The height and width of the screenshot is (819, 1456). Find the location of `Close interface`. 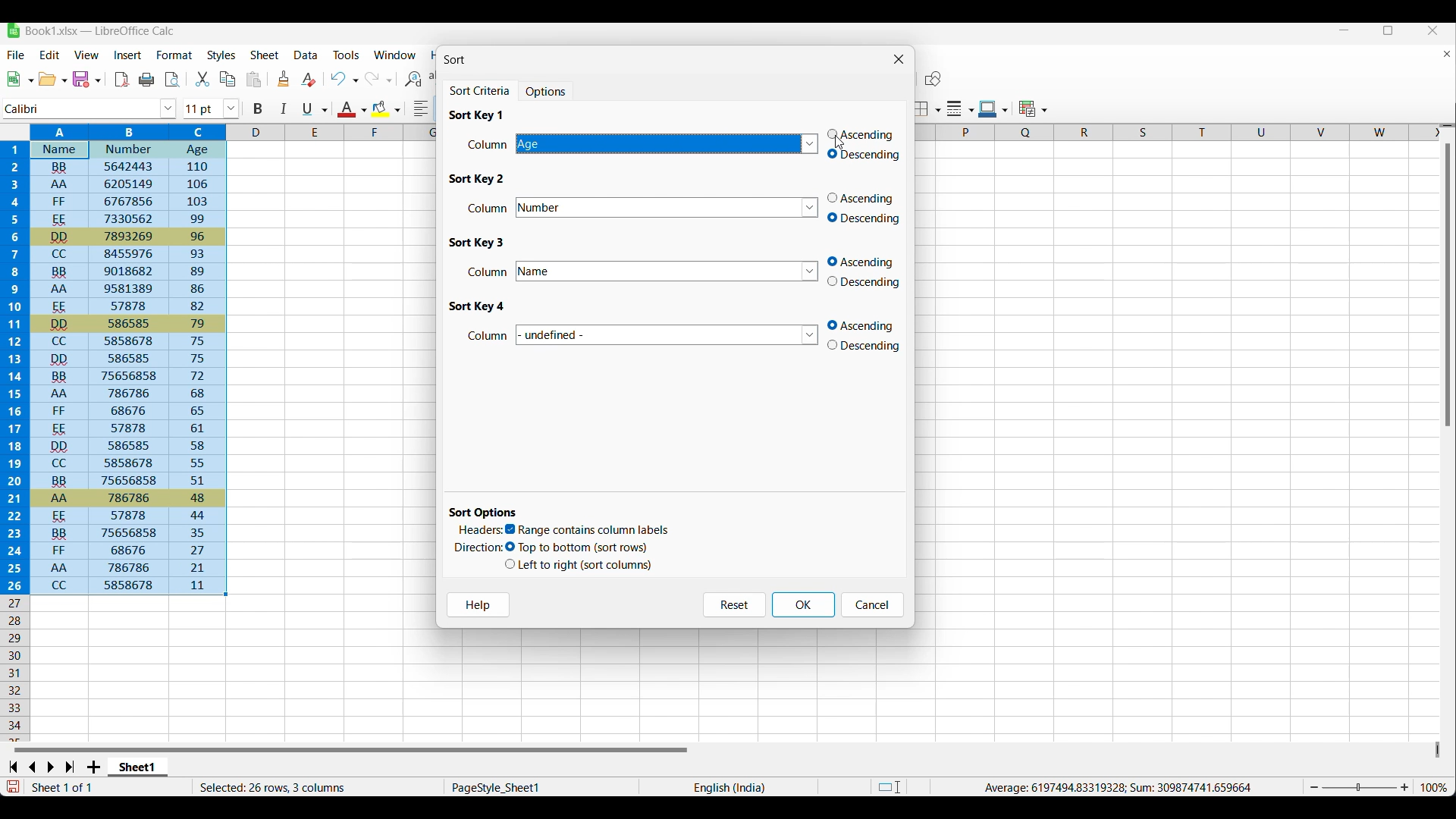

Close interface is located at coordinates (1433, 30).